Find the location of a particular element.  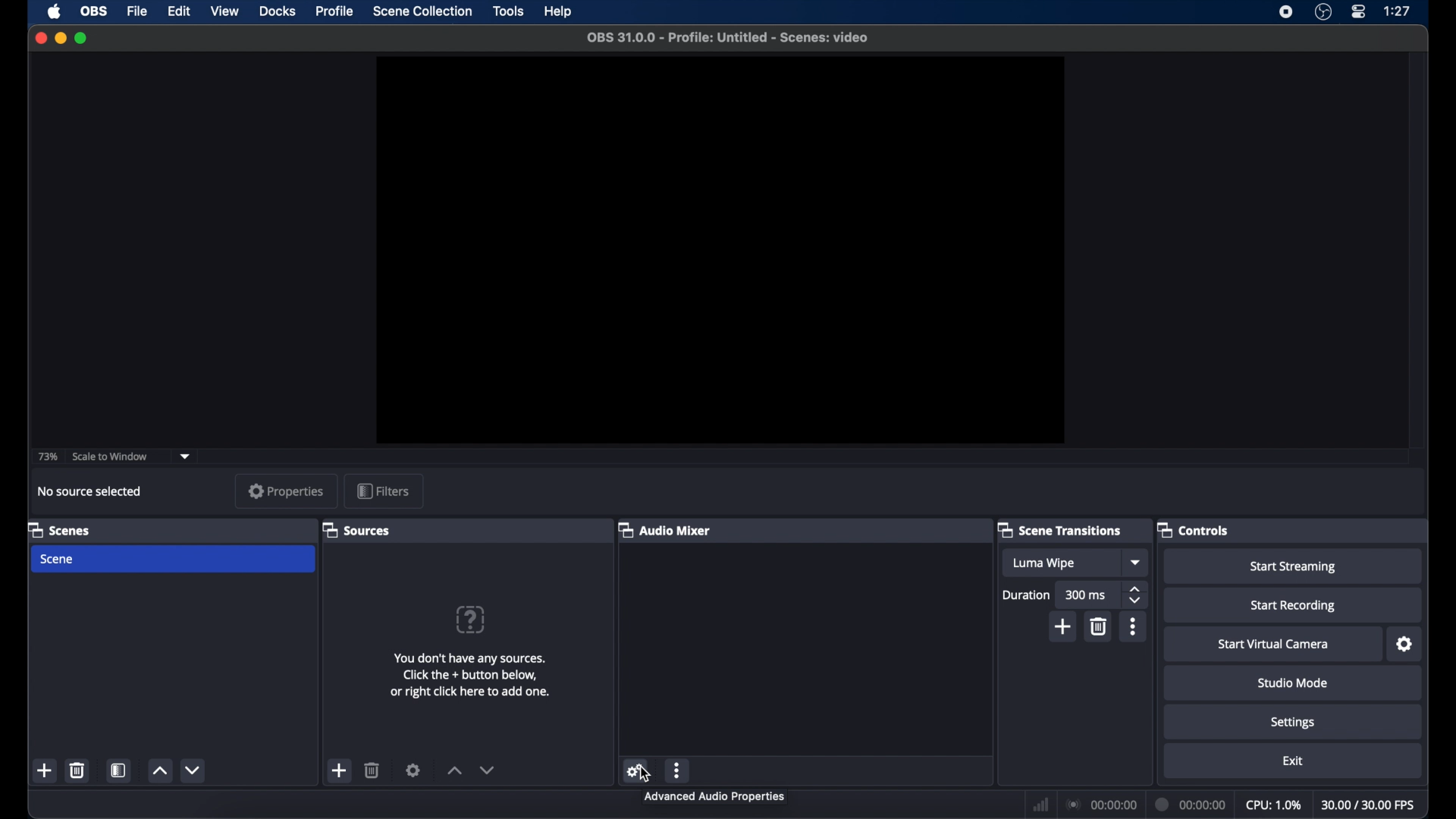

ontrol center is located at coordinates (1360, 12).